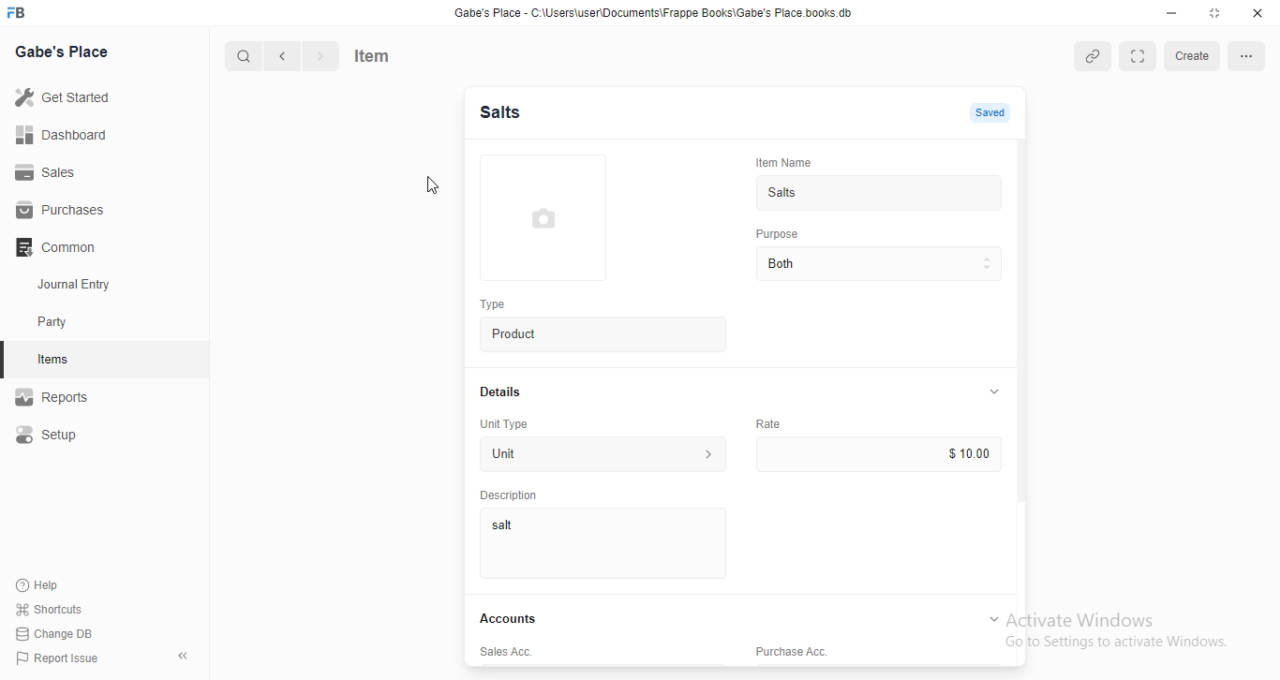 This screenshot has width=1280, height=680. What do you see at coordinates (280, 56) in the screenshot?
I see `previous` at bounding box center [280, 56].